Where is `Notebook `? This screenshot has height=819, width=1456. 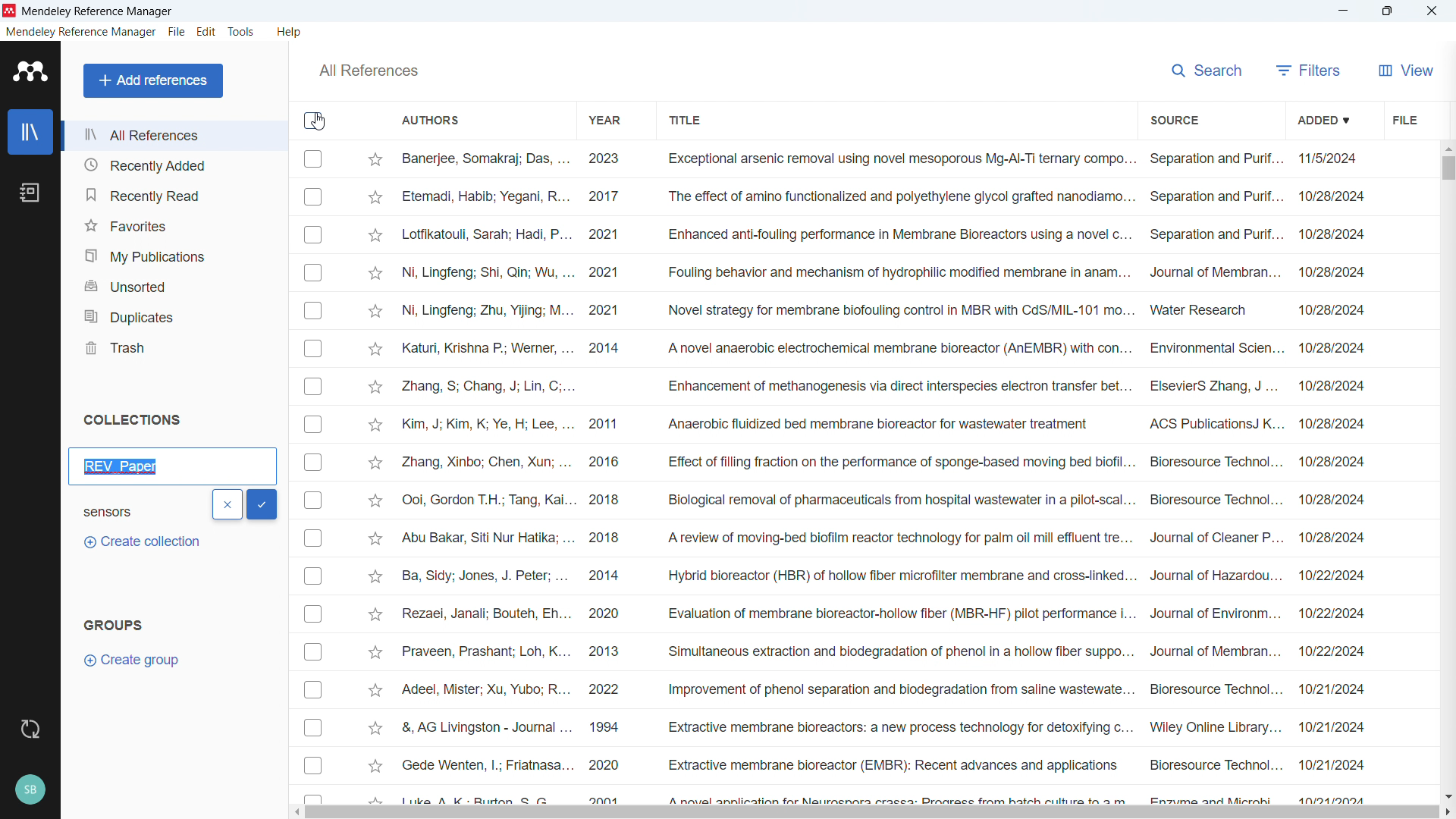 Notebook  is located at coordinates (30, 193).